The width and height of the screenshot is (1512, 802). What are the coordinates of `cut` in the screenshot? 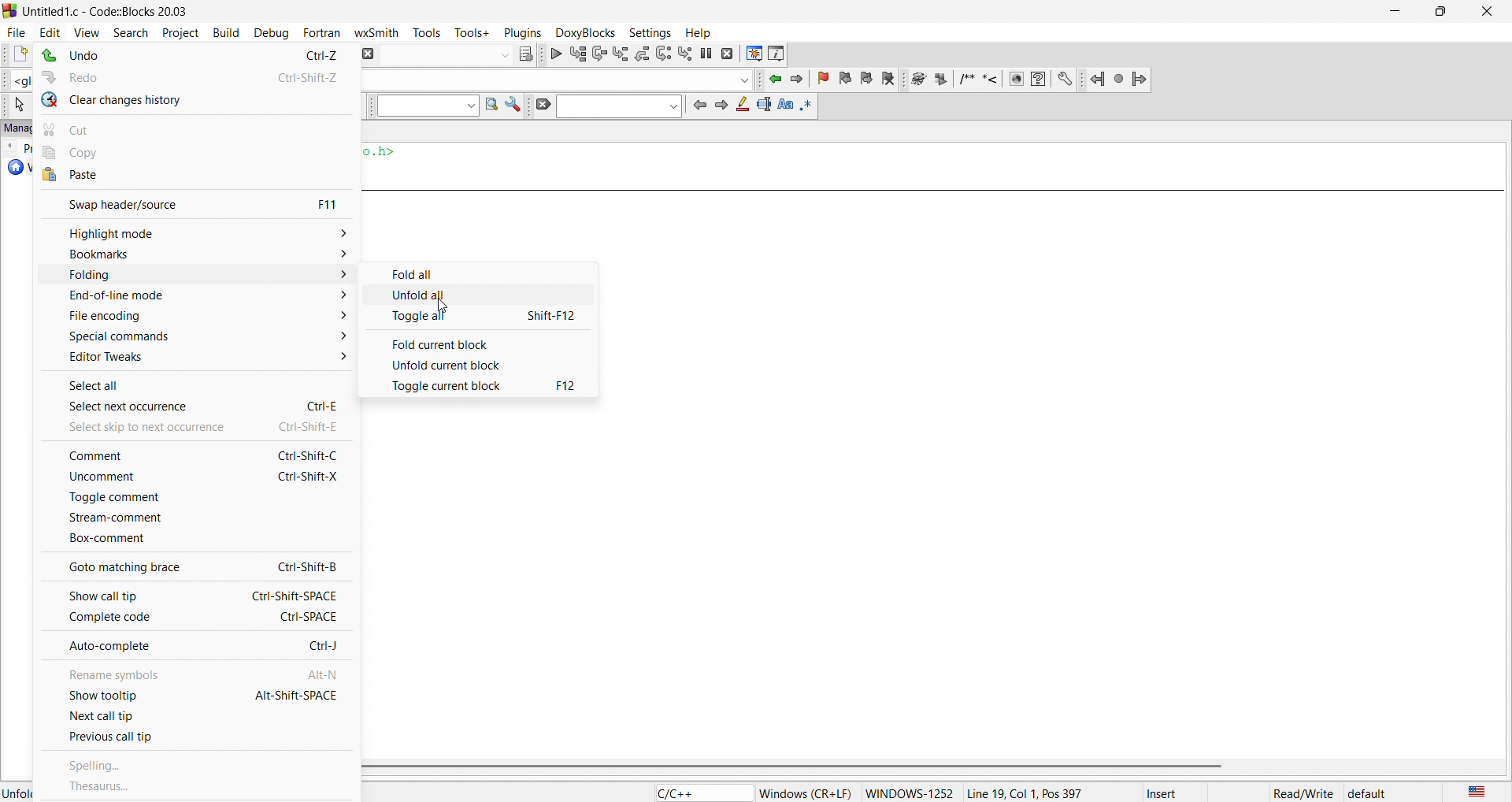 It's located at (198, 127).